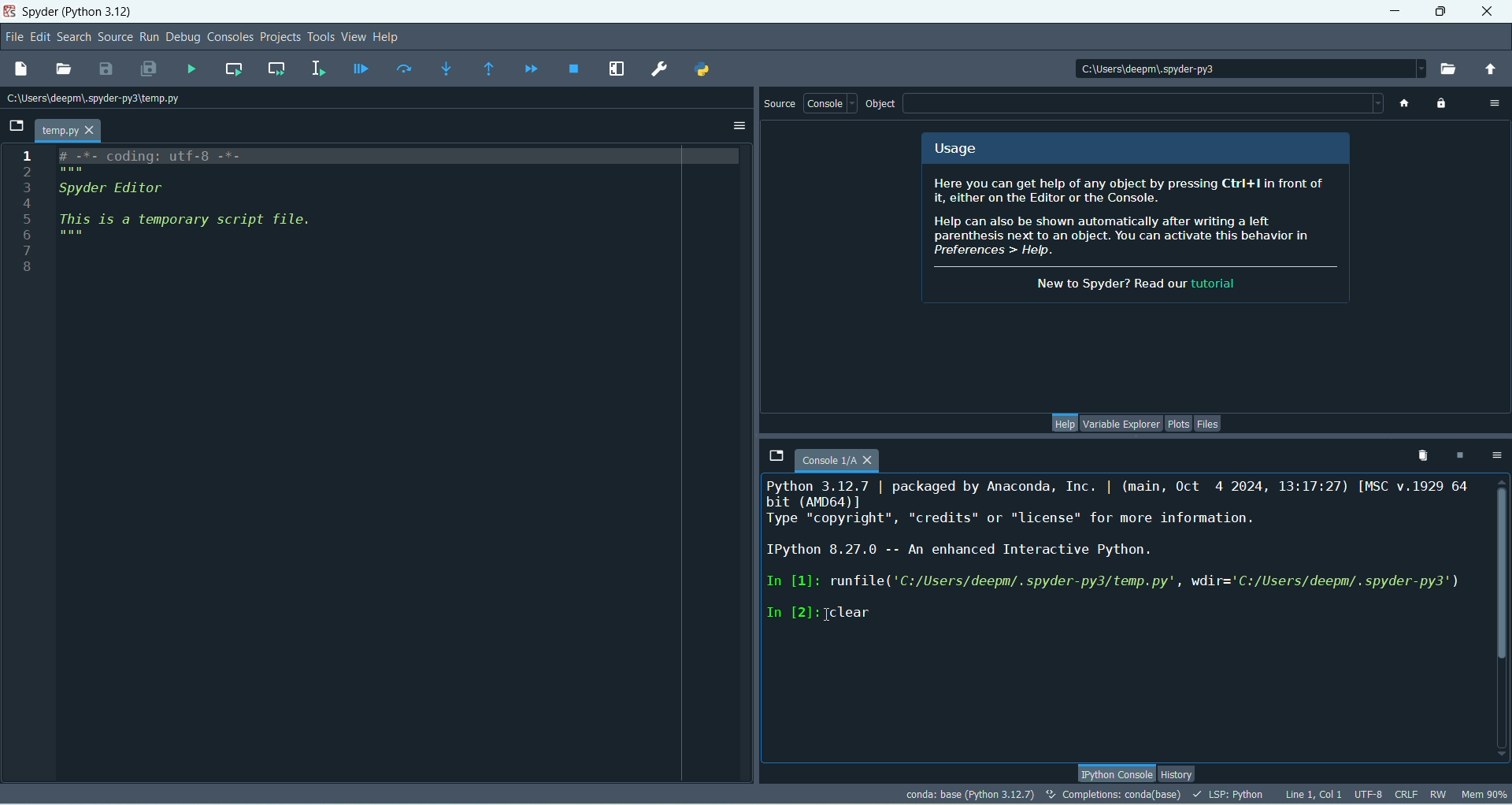 Image resolution: width=1512 pixels, height=805 pixels. What do you see at coordinates (1228, 794) in the screenshot?
I see `LSP-PYTHON` at bounding box center [1228, 794].